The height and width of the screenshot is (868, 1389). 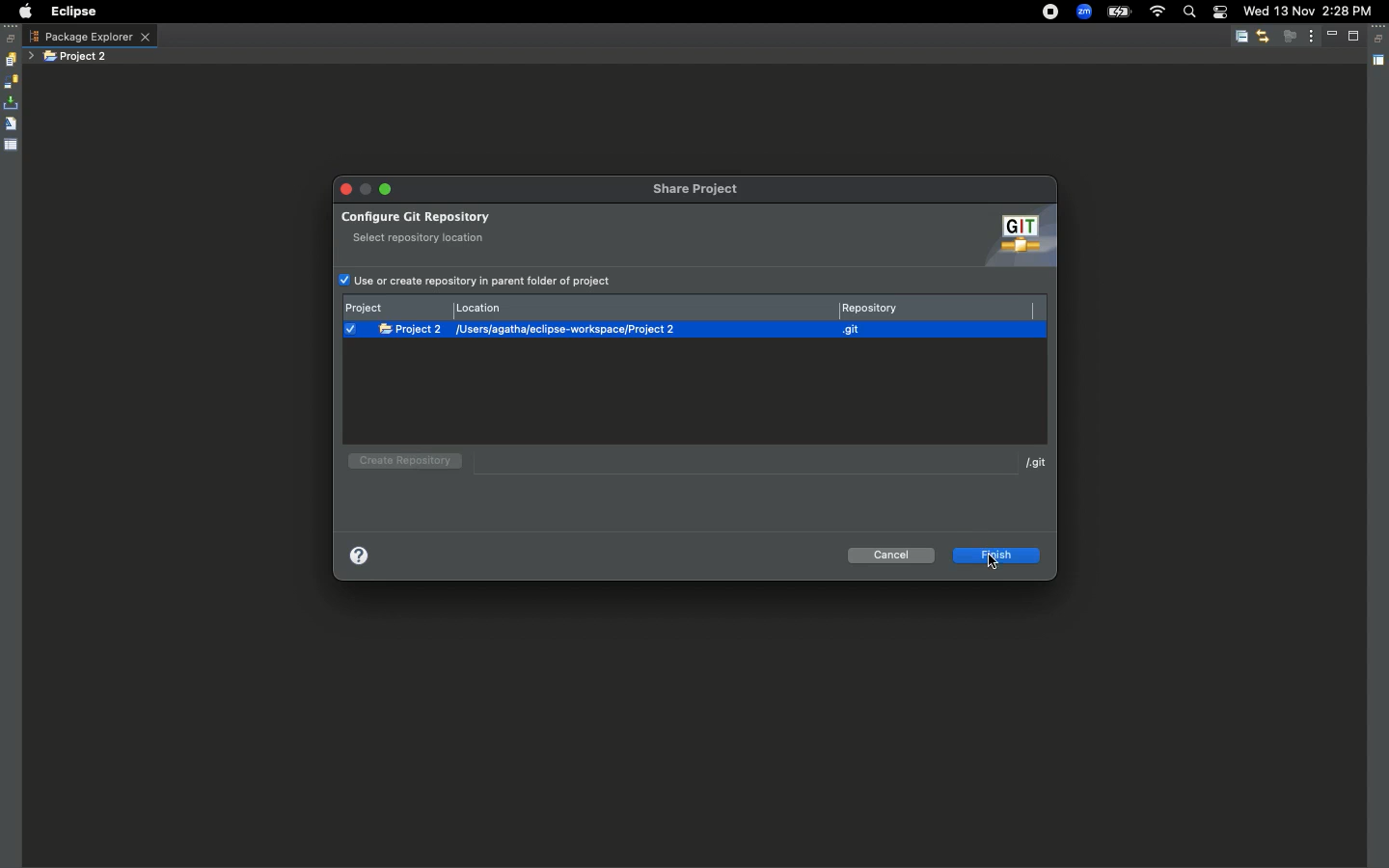 What do you see at coordinates (1307, 10) in the screenshot?
I see `Wed 13 Nov 2:28 PM` at bounding box center [1307, 10].